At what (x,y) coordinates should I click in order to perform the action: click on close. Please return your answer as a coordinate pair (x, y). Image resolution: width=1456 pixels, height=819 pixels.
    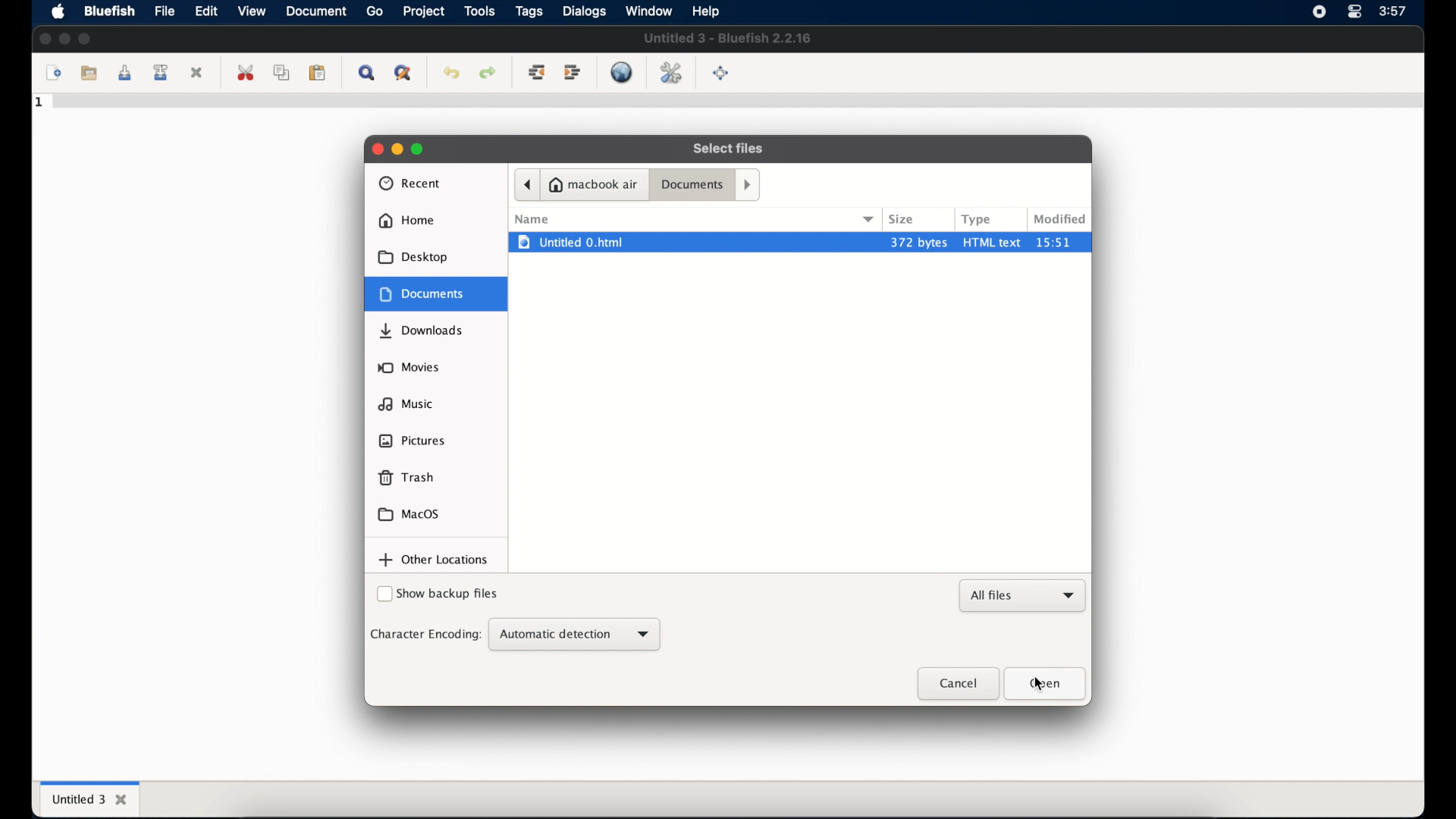
    Looking at the image, I should click on (199, 72).